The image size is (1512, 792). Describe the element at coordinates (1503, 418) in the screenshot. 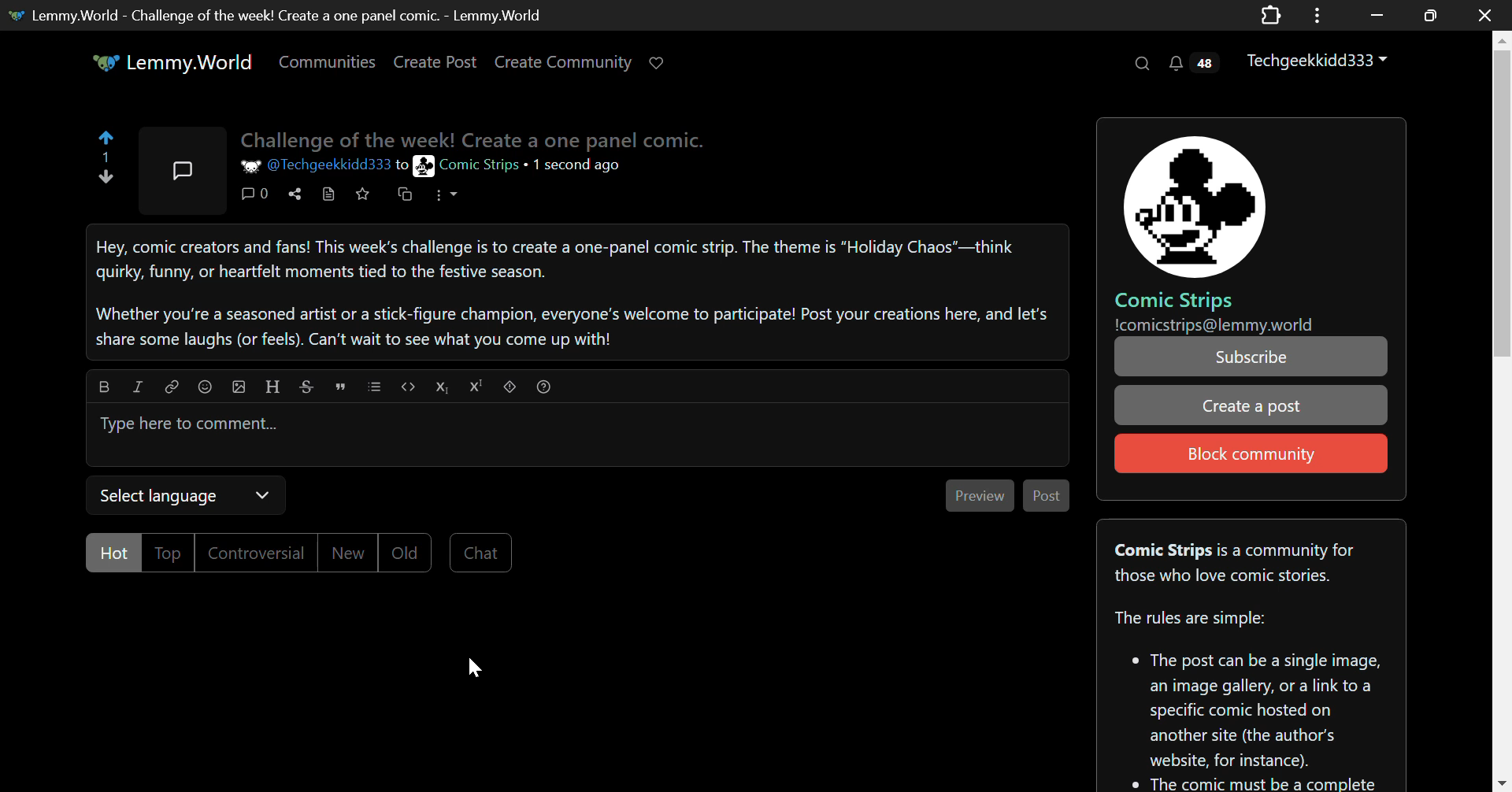

I see `Vertical Scroll Bar` at that location.